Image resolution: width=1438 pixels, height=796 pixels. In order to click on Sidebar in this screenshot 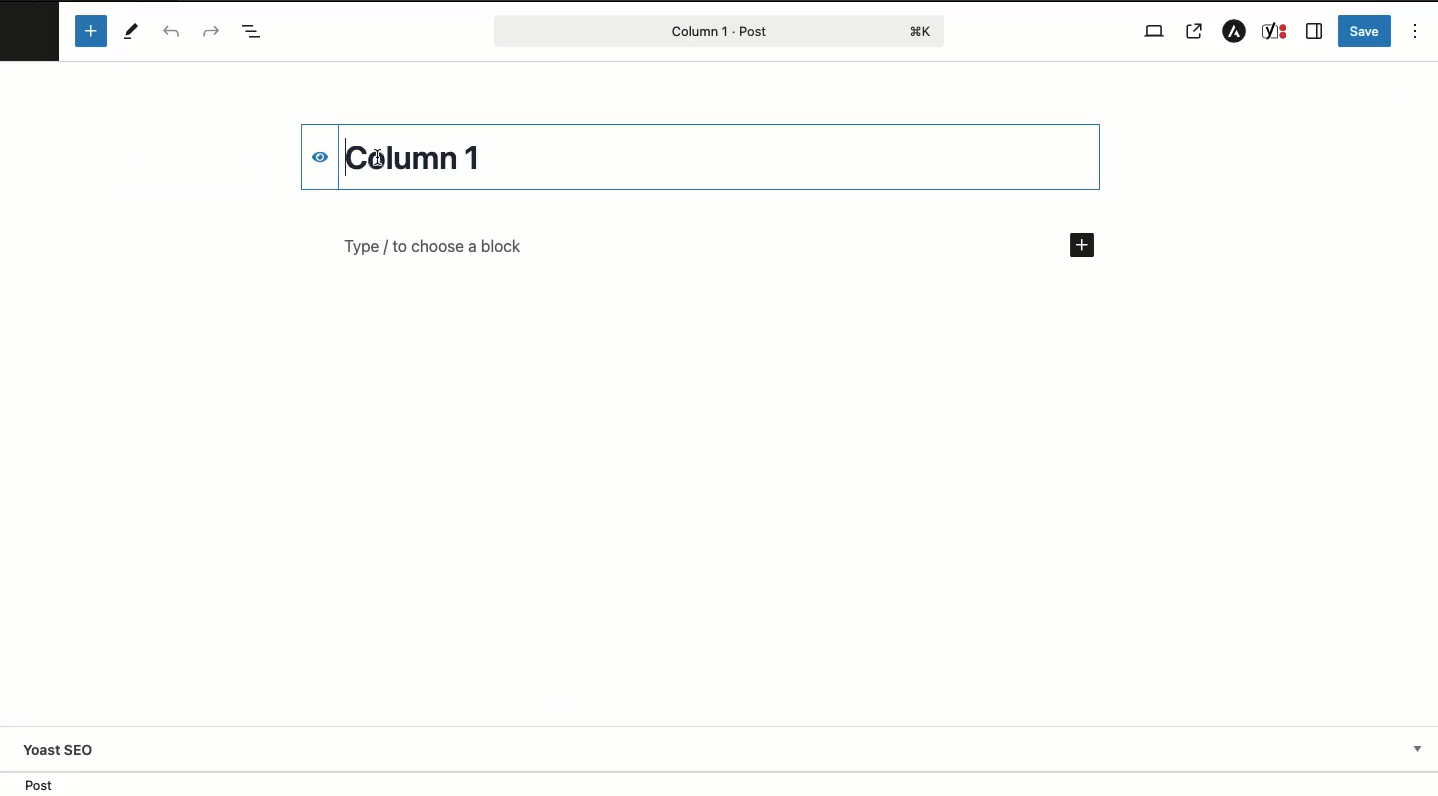, I will do `click(1315, 31)`.